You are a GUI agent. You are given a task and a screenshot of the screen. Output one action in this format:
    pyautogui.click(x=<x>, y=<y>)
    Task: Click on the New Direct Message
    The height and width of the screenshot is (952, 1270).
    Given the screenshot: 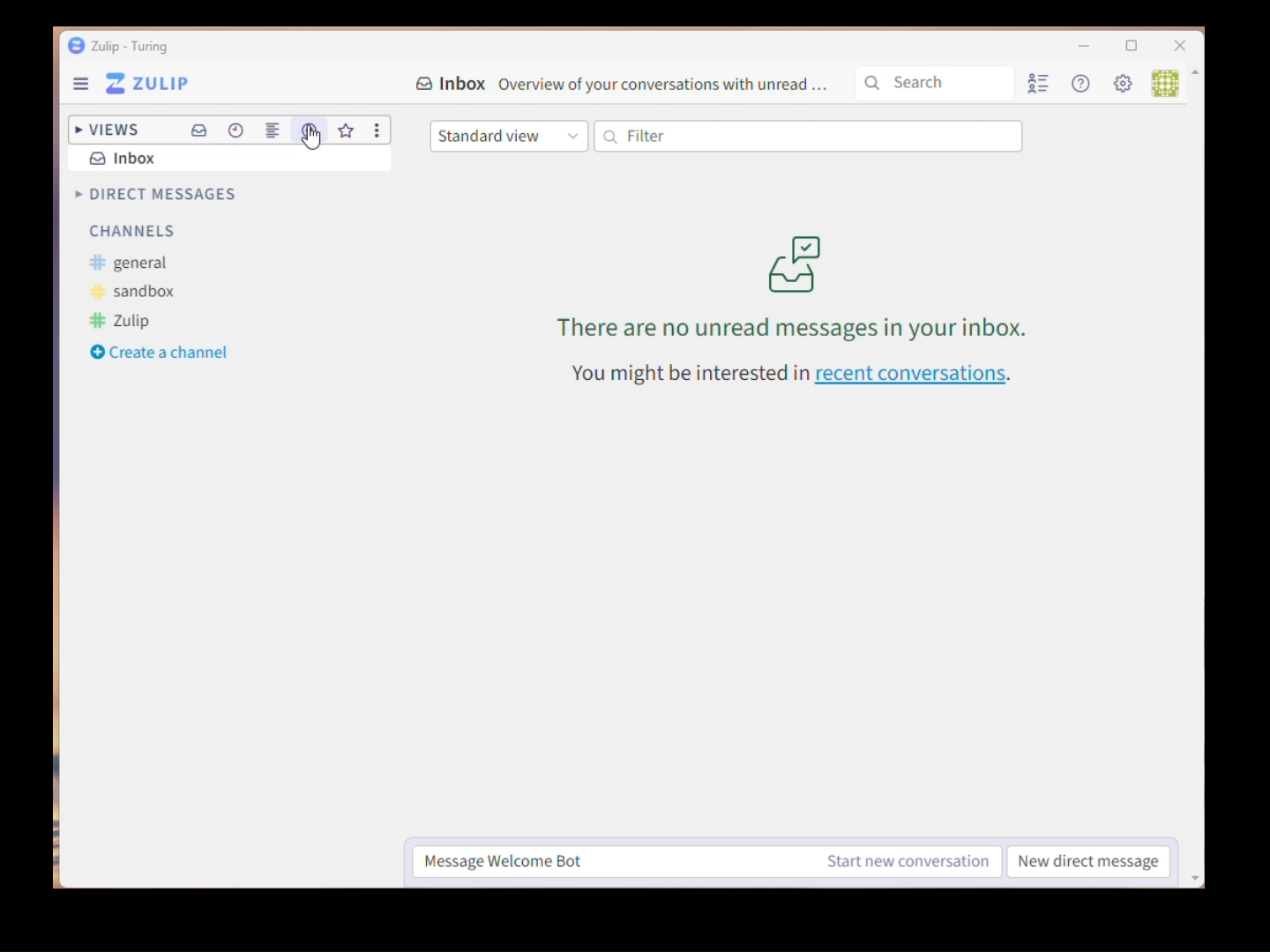 What is the action you would take?
    pyautogui.click(x=1089, y=863)
    